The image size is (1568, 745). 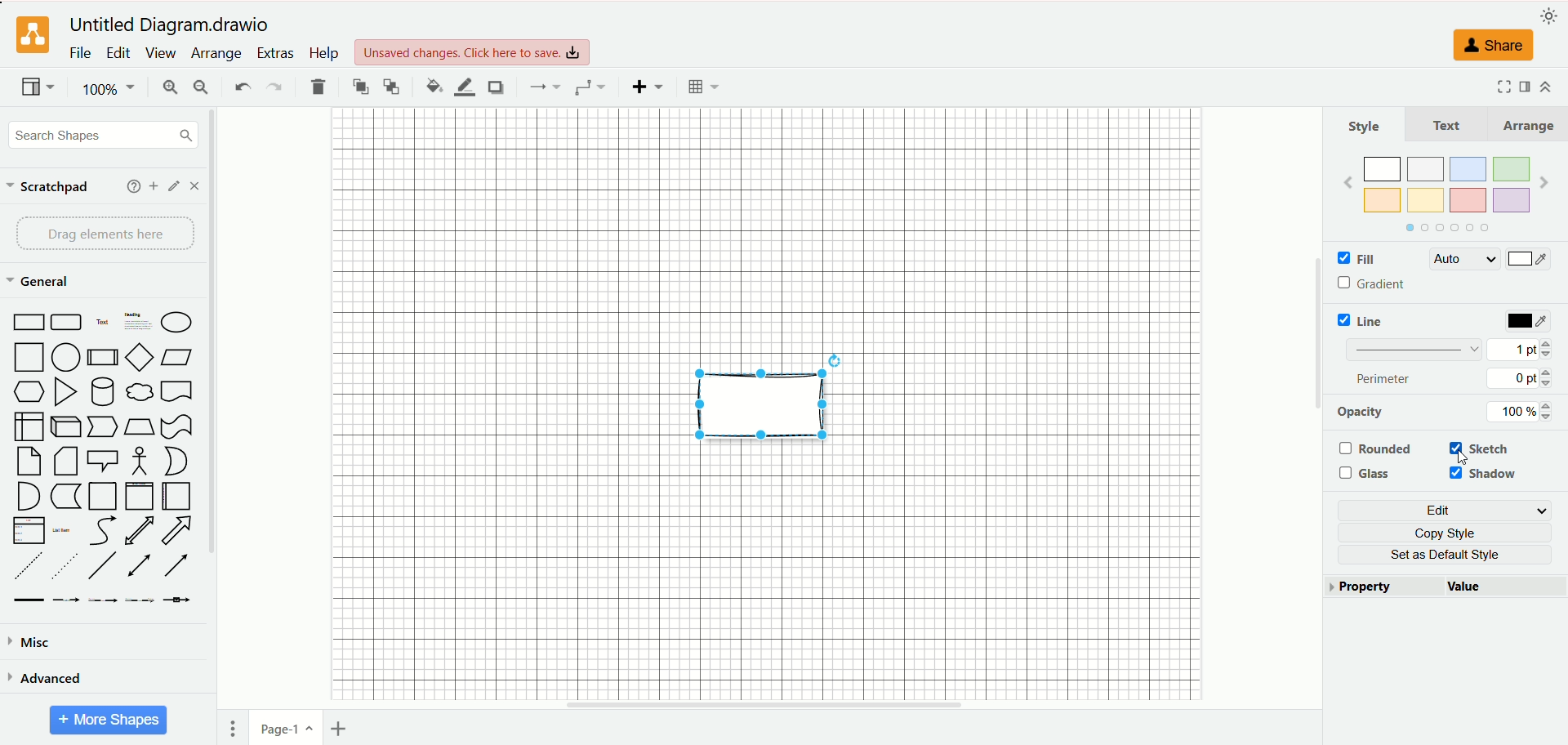 What do you see at coordinates (1374, 448) in the screenshot?
I see `unselected` at bounding box center [1374, 448].